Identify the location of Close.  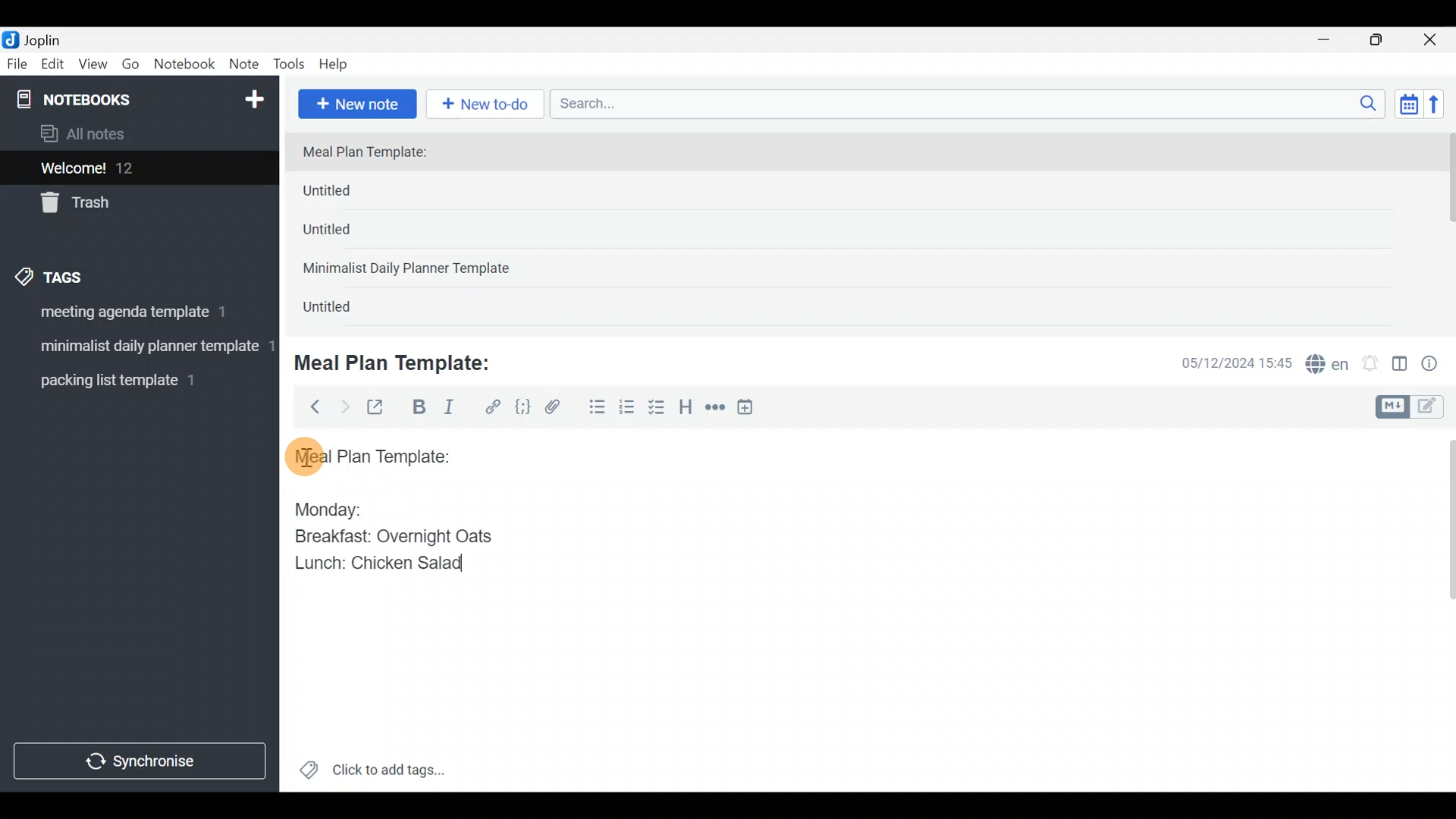
(1432, 41).